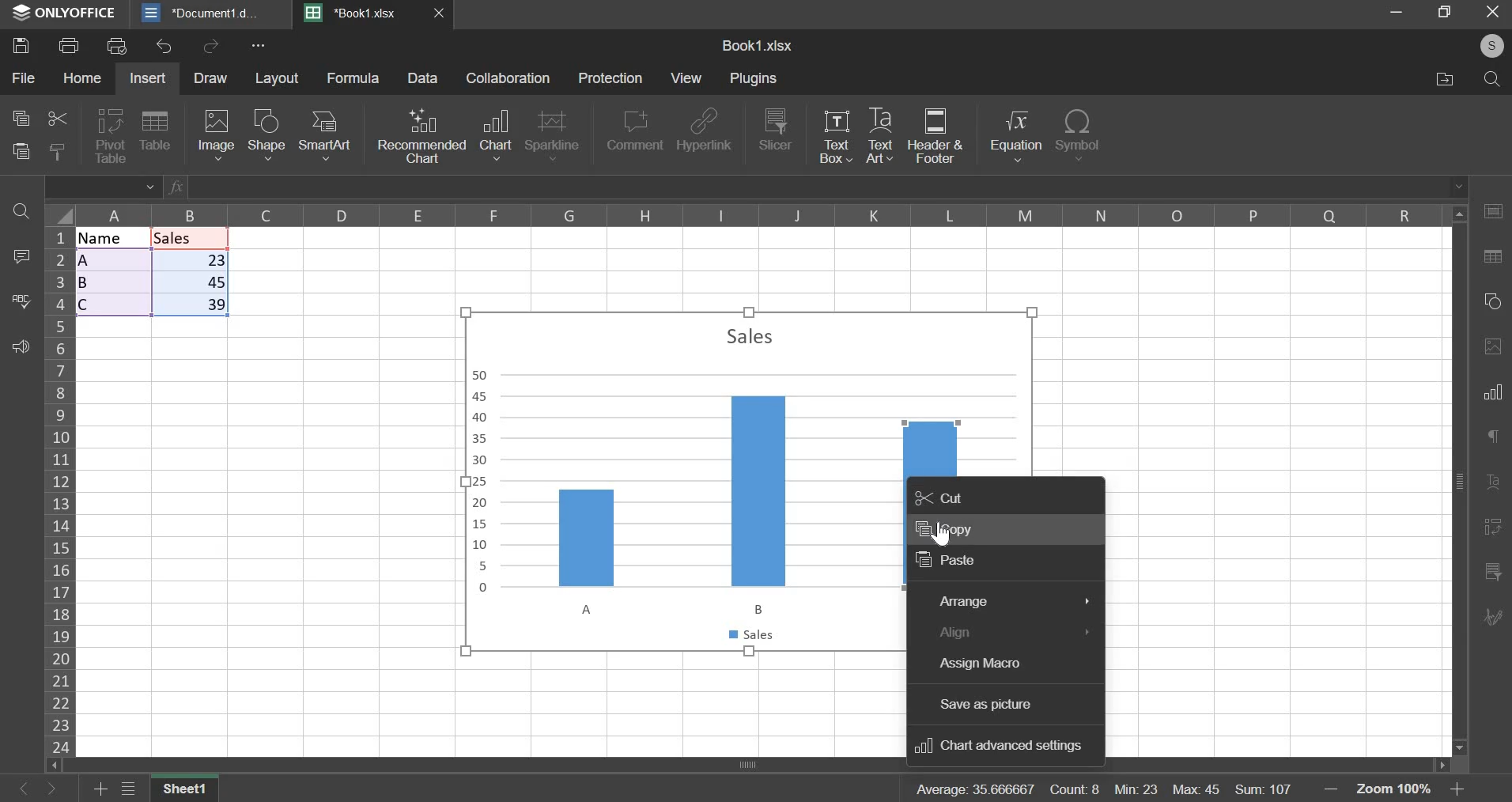 The height and width of the screenshot is (802, 1512). I want to click on undo, so click(165, 47).